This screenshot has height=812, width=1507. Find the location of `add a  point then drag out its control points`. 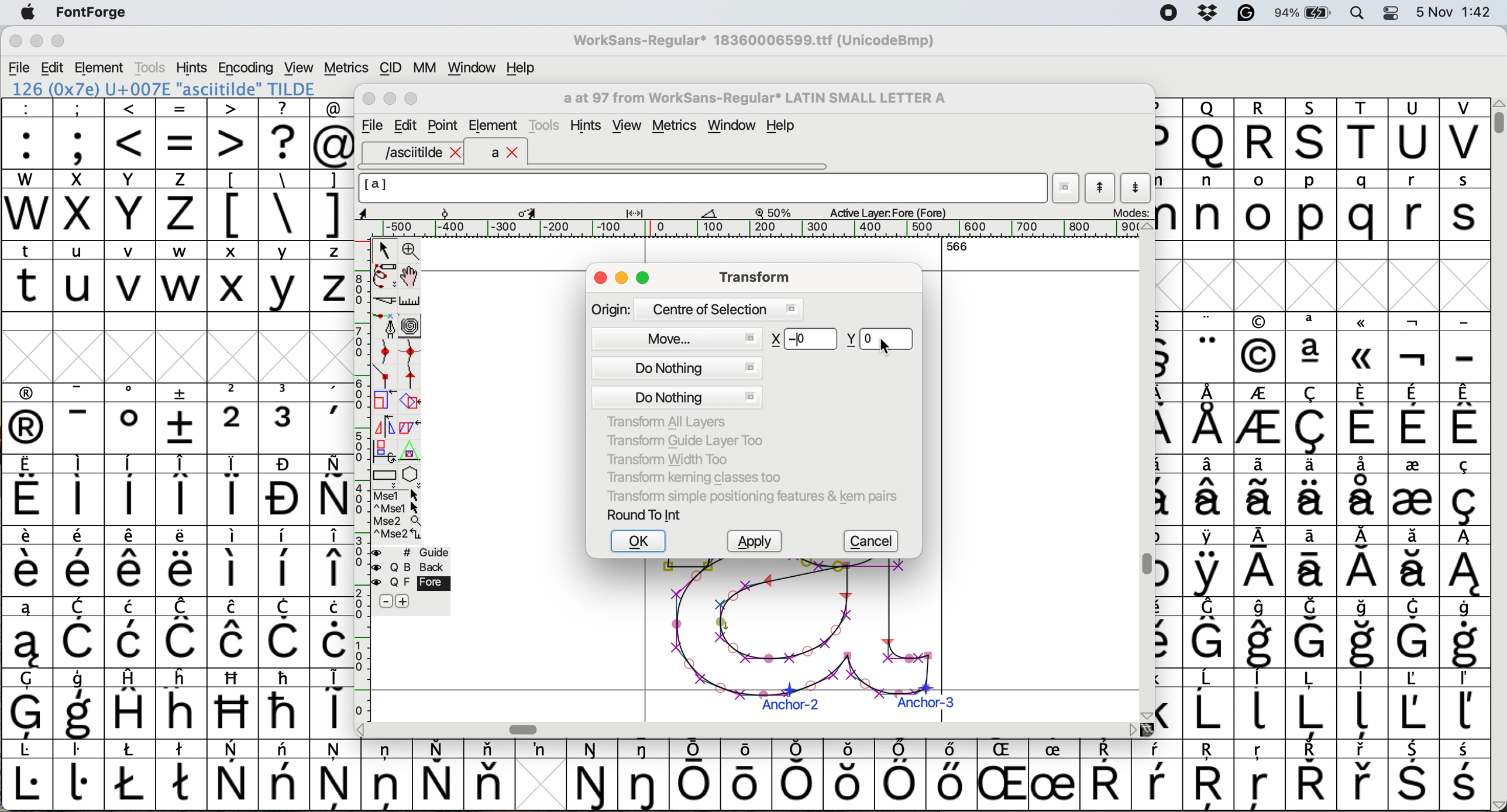

add a  point then drag out its control points is located at coordinates (386, 325).